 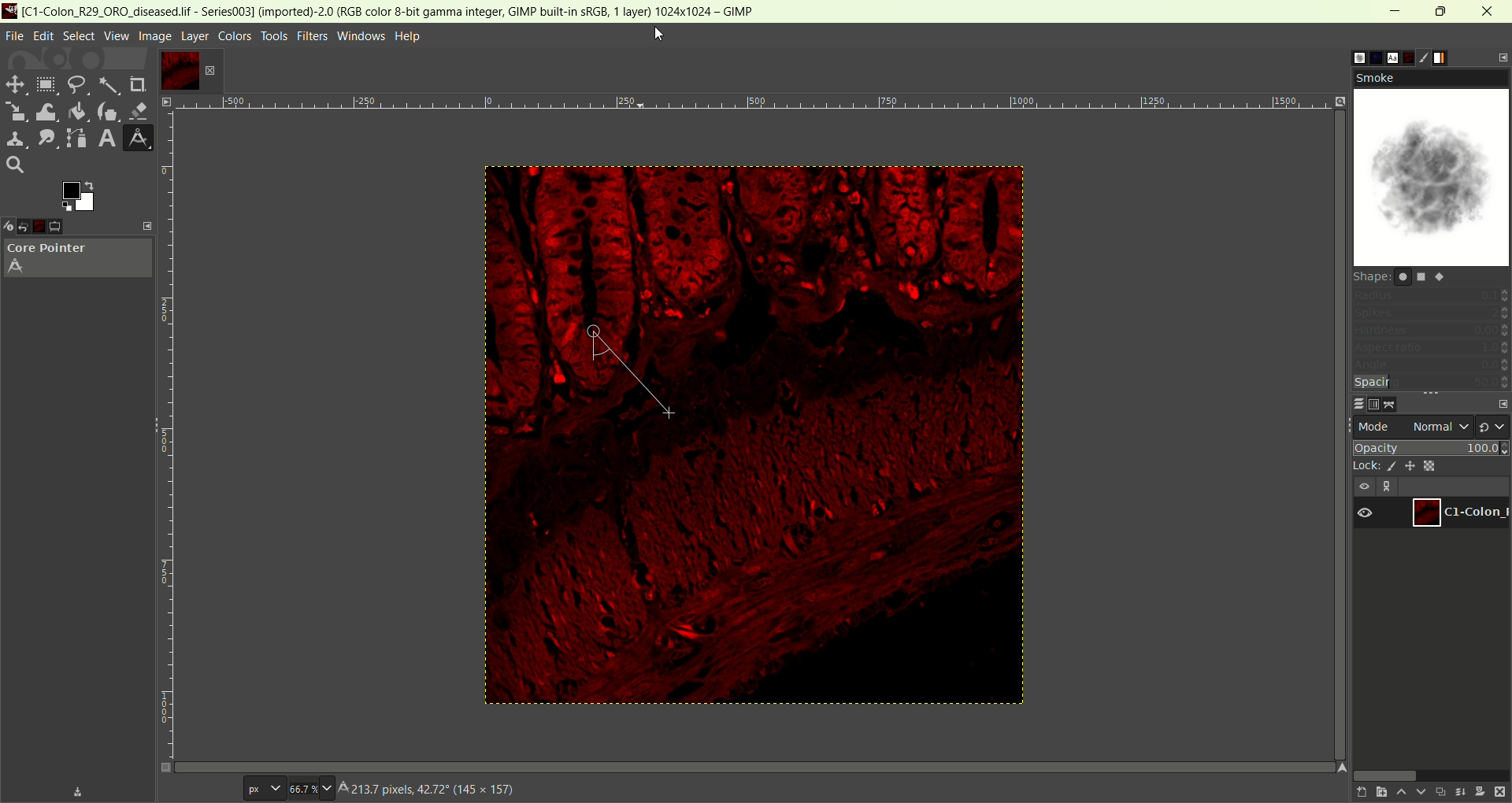 I want to click on mask layer, so click(x=1480, y=793).